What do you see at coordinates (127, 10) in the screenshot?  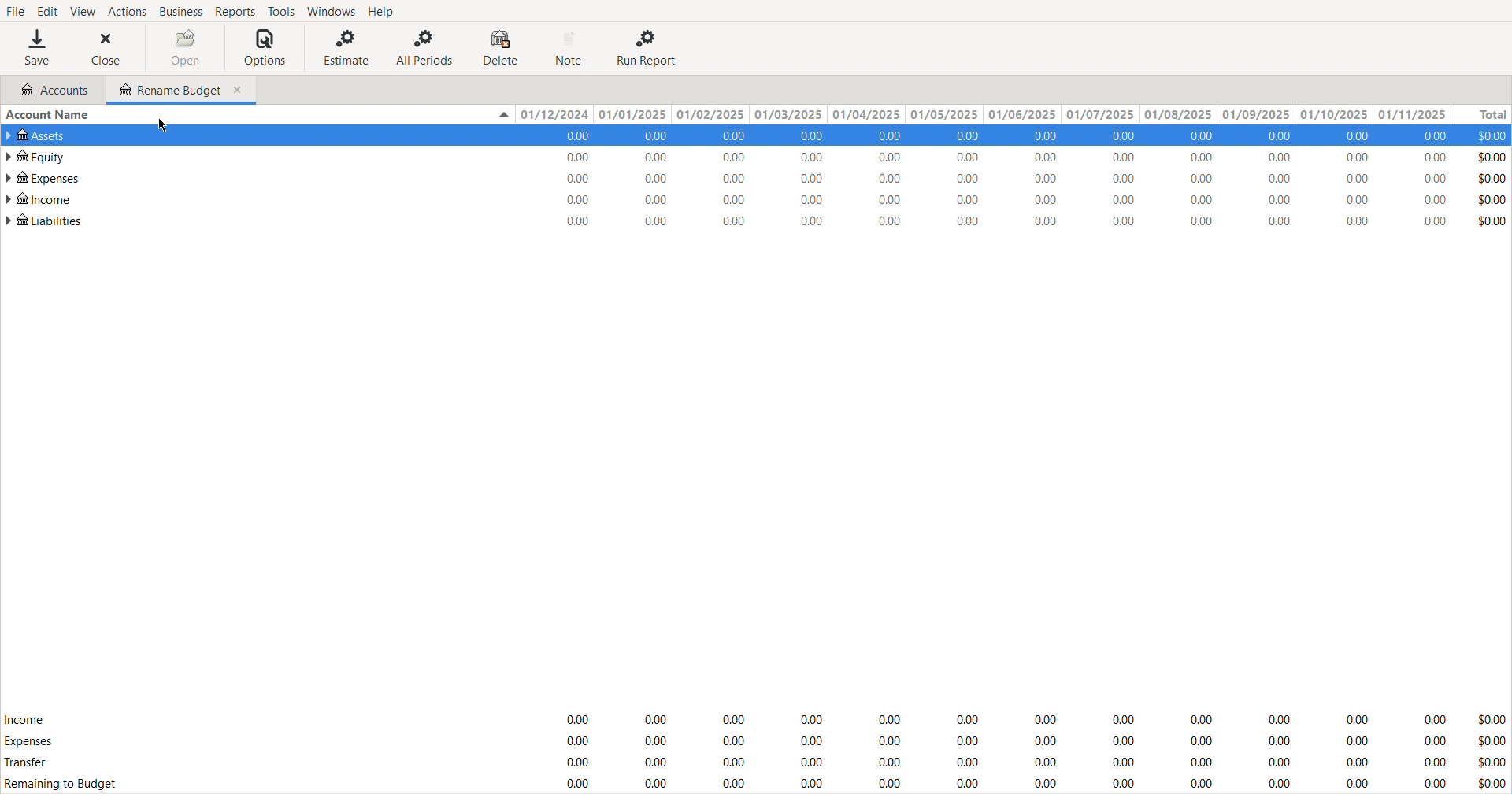 I see `Actions` at bounding box center [127, 10].